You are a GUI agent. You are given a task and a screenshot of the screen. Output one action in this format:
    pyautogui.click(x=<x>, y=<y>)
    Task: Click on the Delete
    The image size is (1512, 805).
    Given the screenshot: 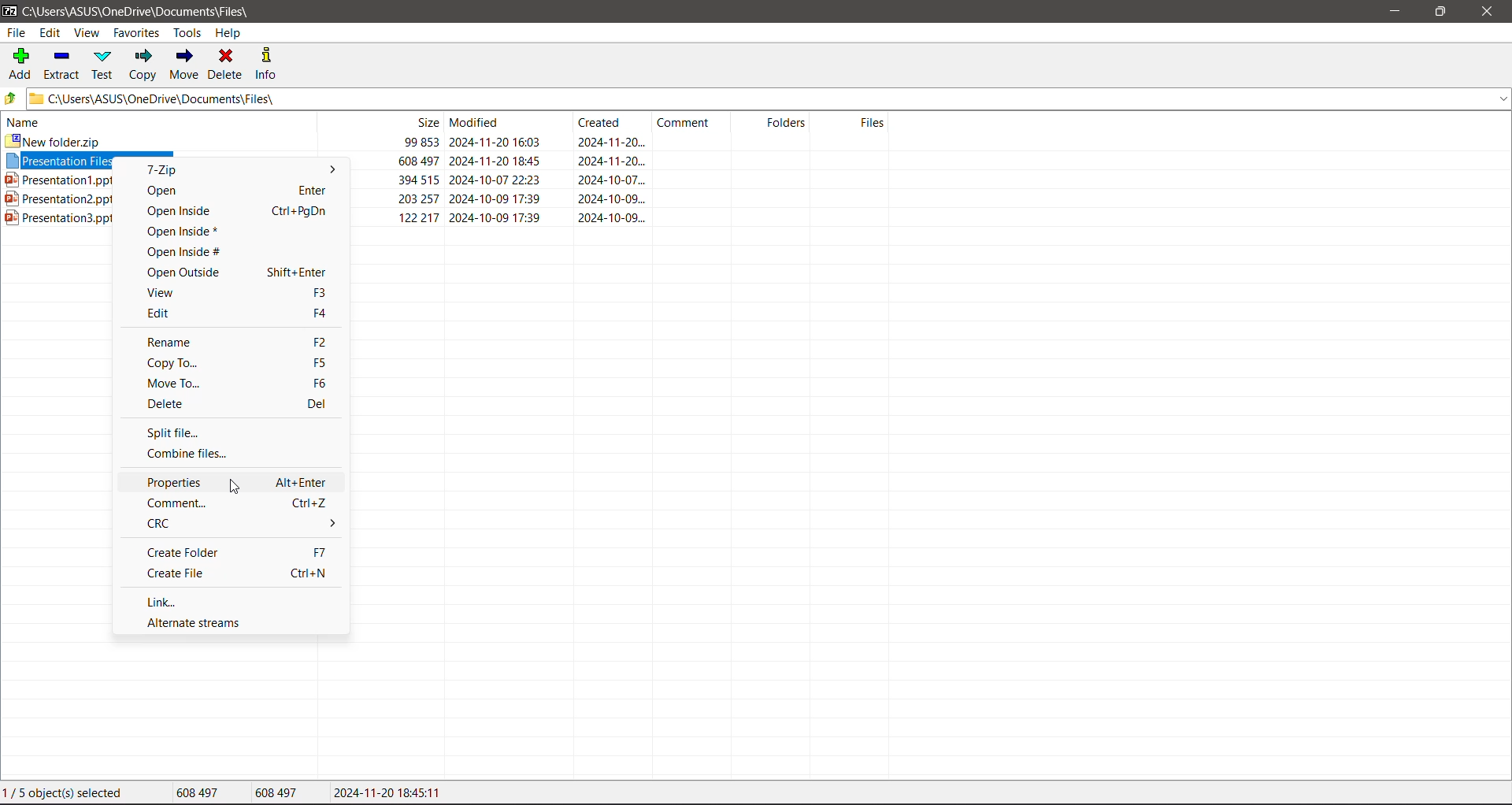 What is the action you would take?
    pyautogui.click(x=228, y=65)
    